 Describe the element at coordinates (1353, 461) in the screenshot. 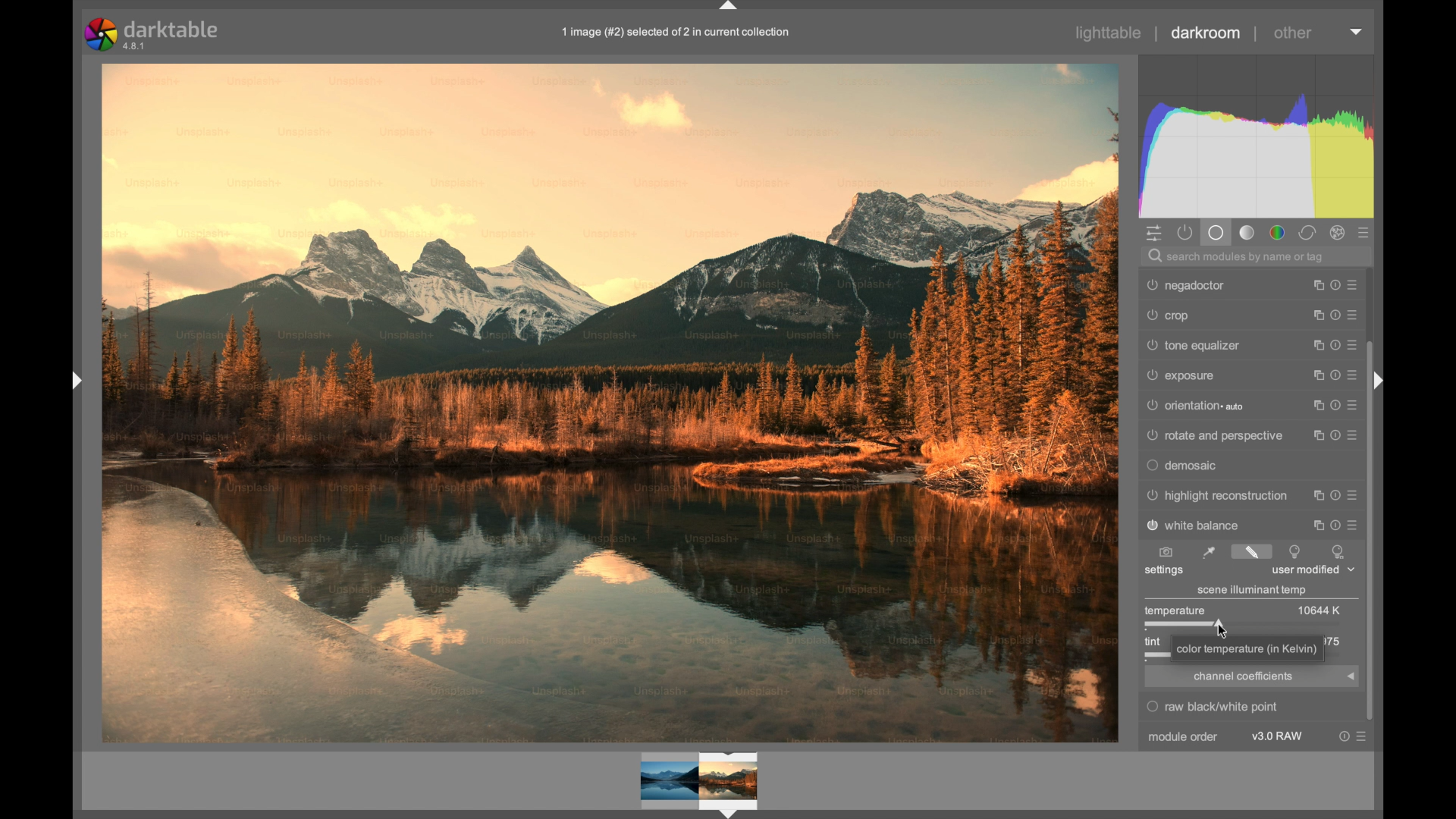

I see `presets ` at that location.